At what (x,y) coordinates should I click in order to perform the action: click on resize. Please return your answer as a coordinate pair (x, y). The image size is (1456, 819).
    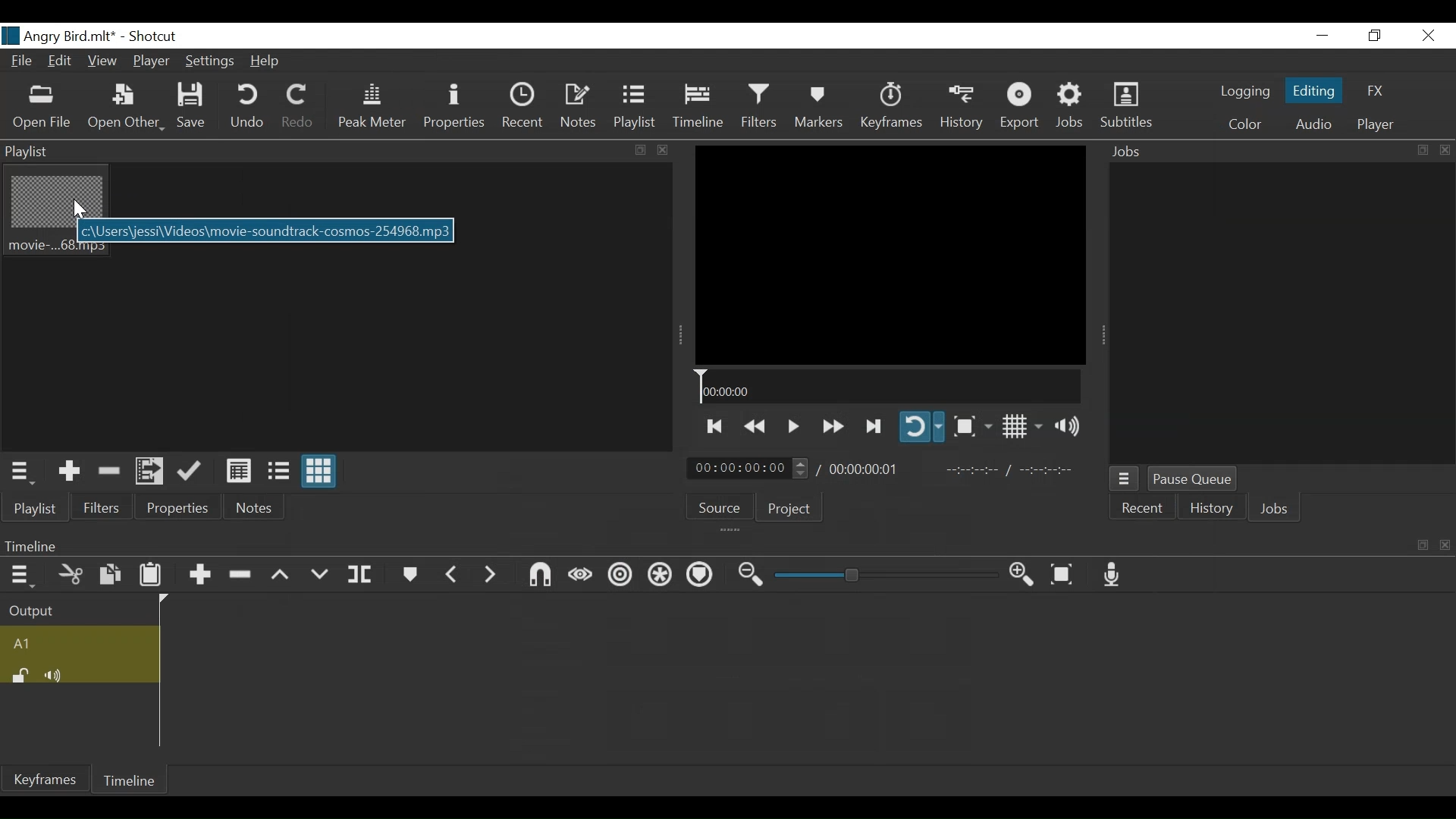
    Looking at the image, I should click on (1421, 545).